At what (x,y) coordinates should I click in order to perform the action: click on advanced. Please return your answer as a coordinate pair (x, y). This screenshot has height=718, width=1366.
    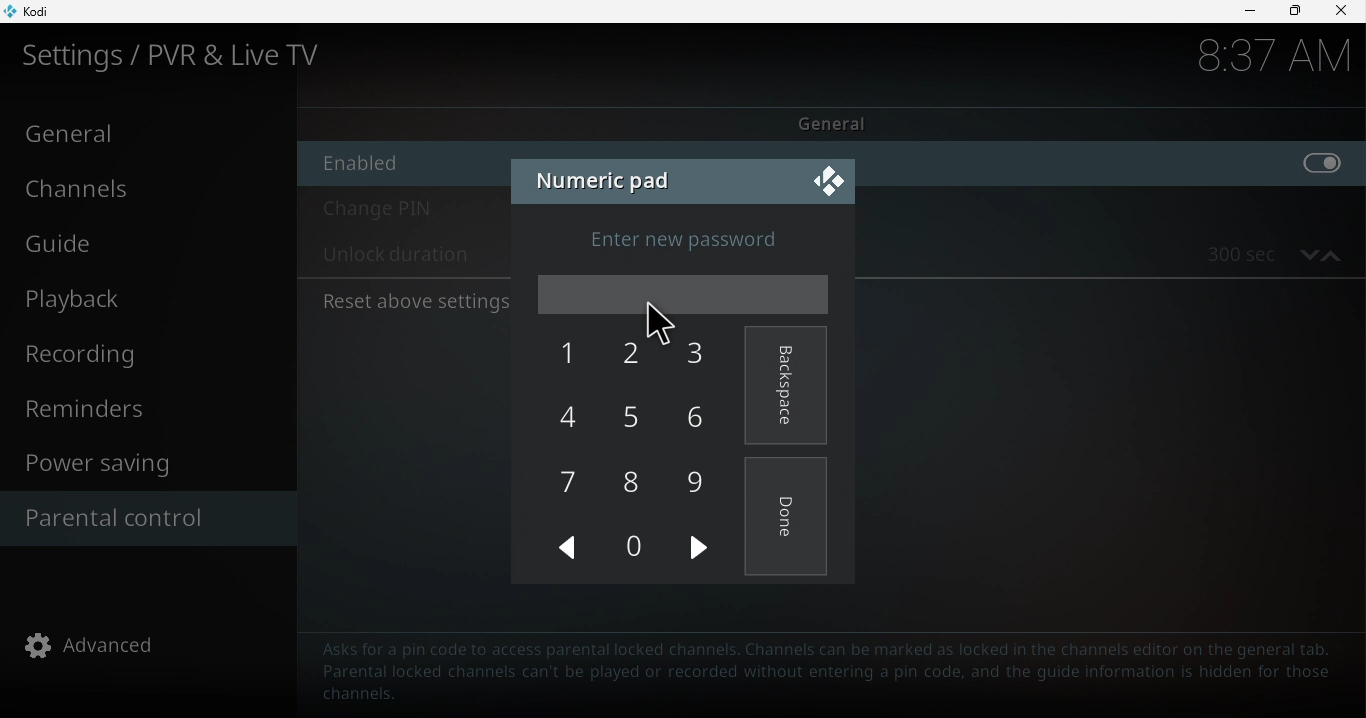
    Looking at the image, I should click on (95, 646).